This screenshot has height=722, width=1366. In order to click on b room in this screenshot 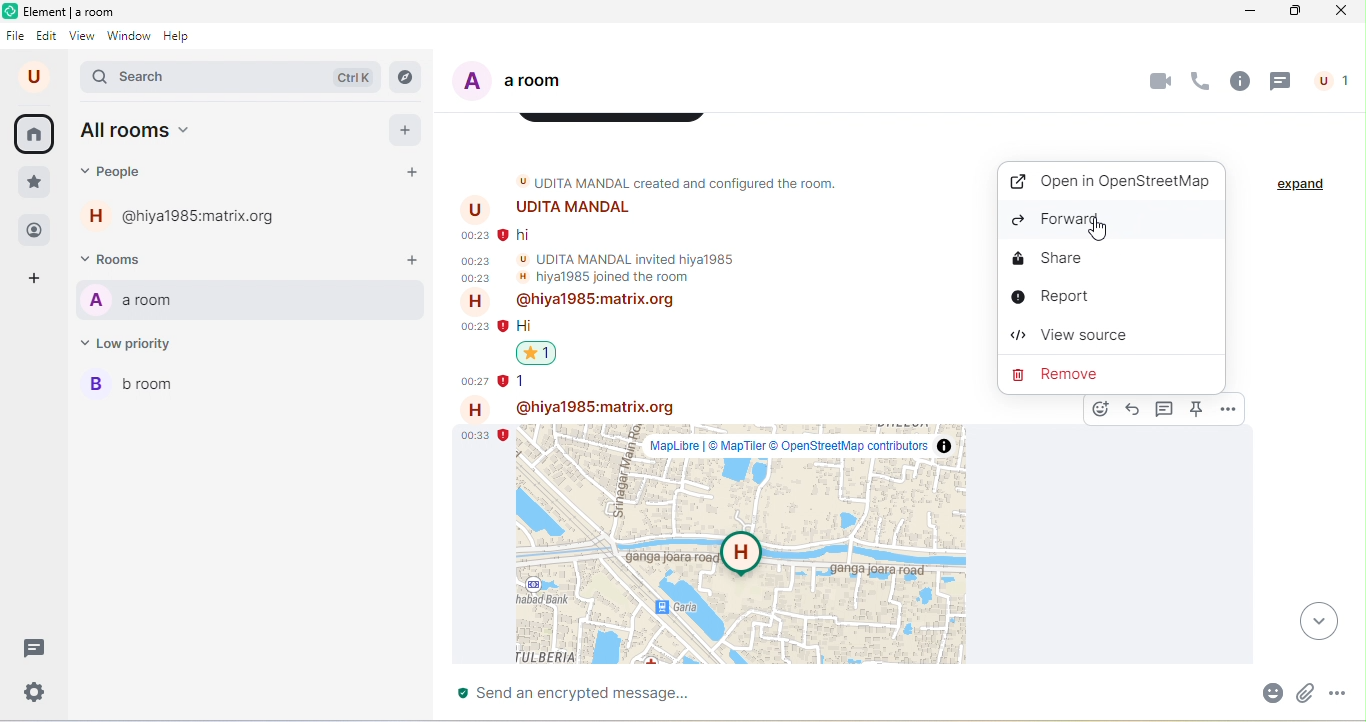, I will do `click(136, 382)`.